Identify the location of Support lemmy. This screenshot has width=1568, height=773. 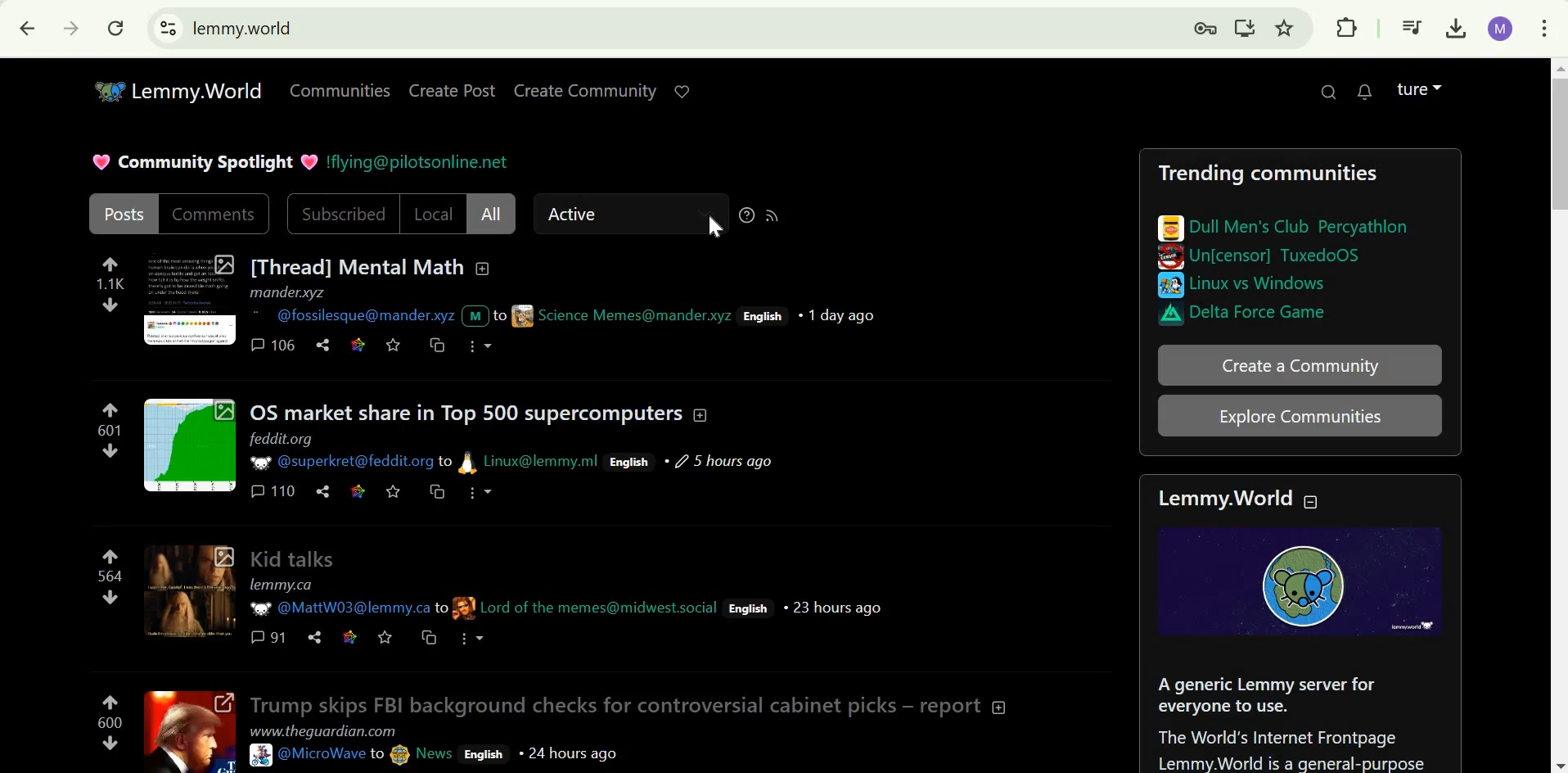
(683, 91).